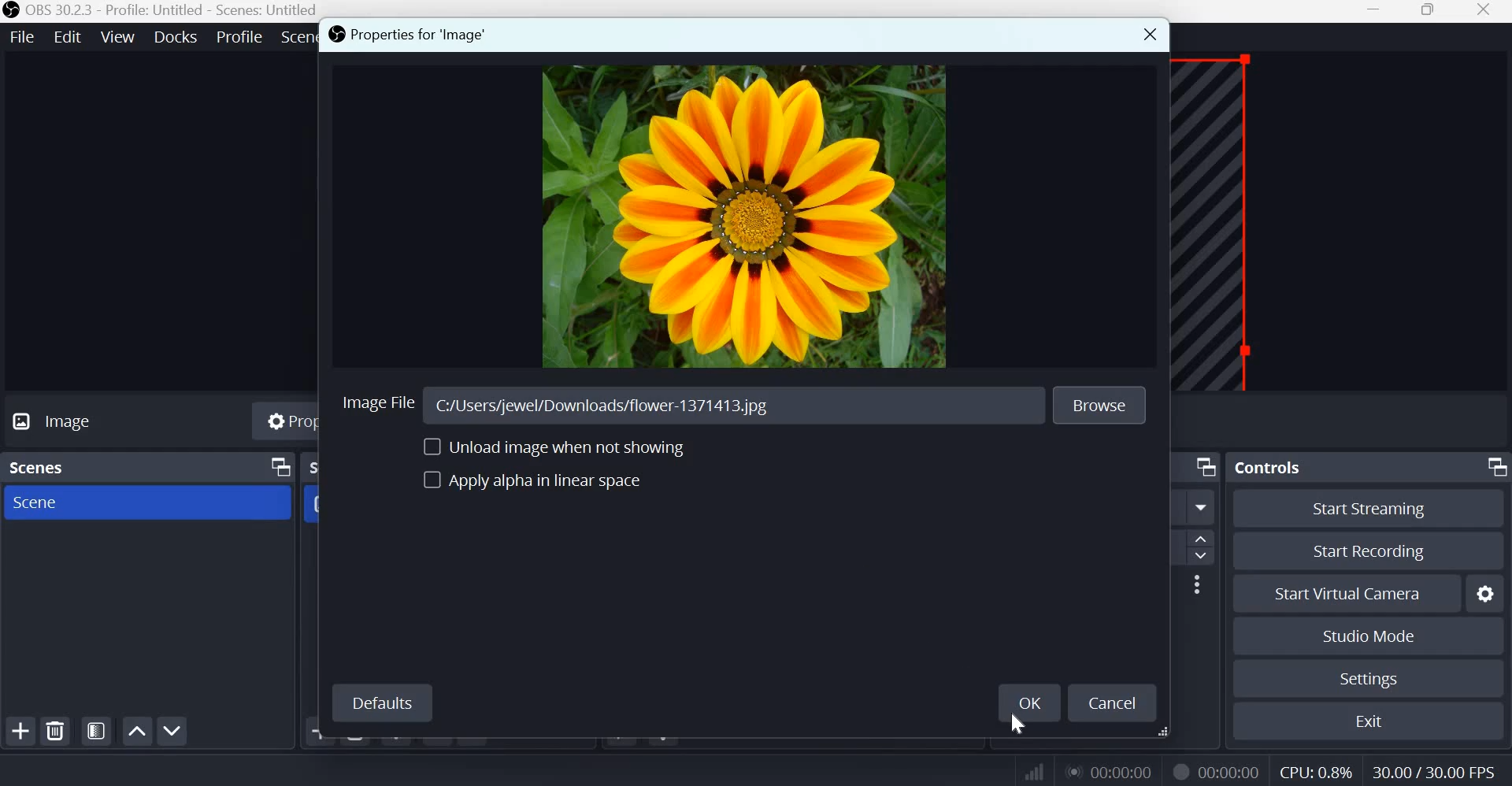  Describe the element at coordinates (544, 447) in the screenshot. I see `unload image when not showing` at that location.